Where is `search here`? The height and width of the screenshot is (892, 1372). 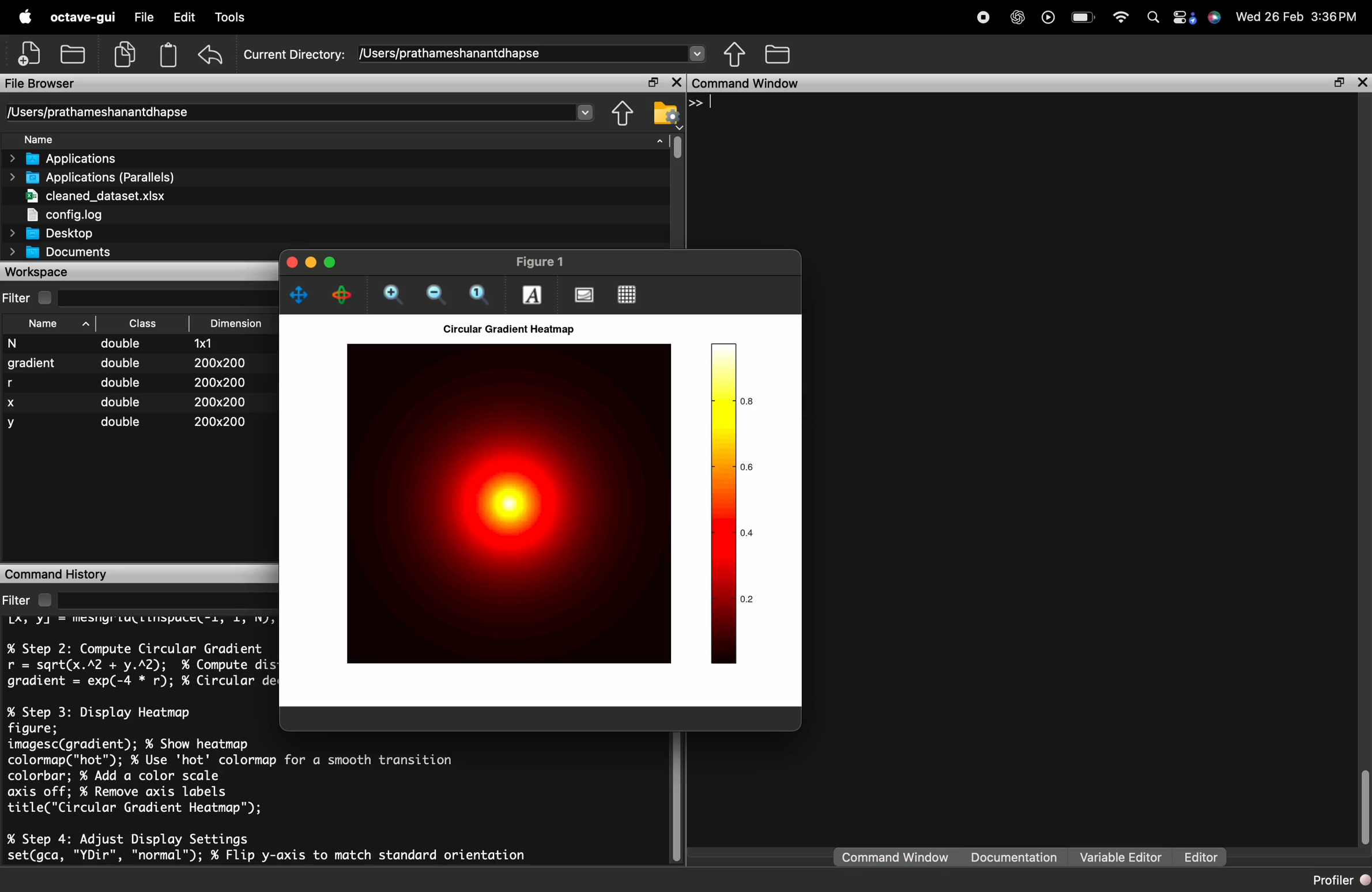
search here is located at coordinates (169, 297).